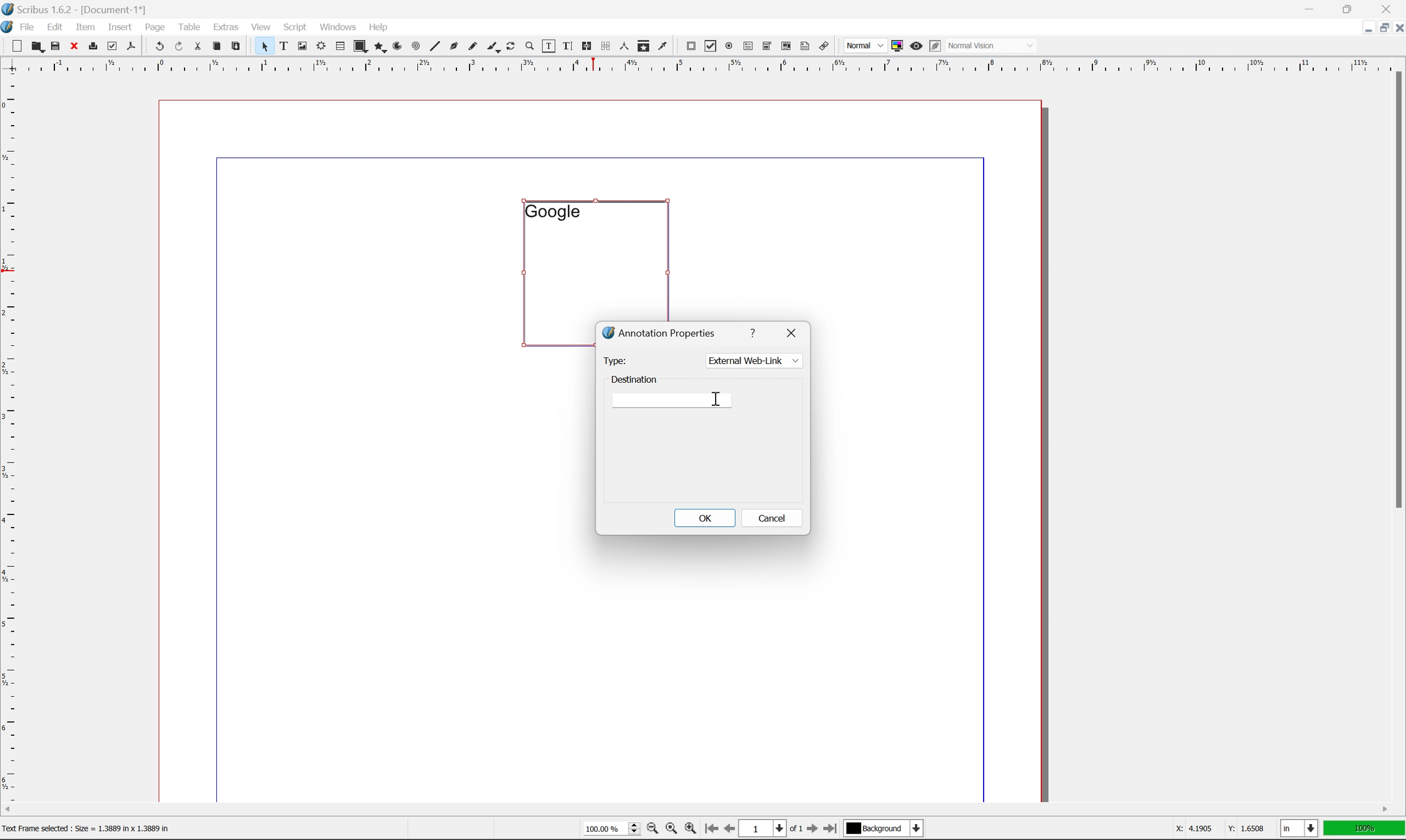 The height and width of the screenshot is (840, 1406). What do you see at coordinates (993, 45) in the screenshot?
I see `normal vision` at bounding box center [993, 45].